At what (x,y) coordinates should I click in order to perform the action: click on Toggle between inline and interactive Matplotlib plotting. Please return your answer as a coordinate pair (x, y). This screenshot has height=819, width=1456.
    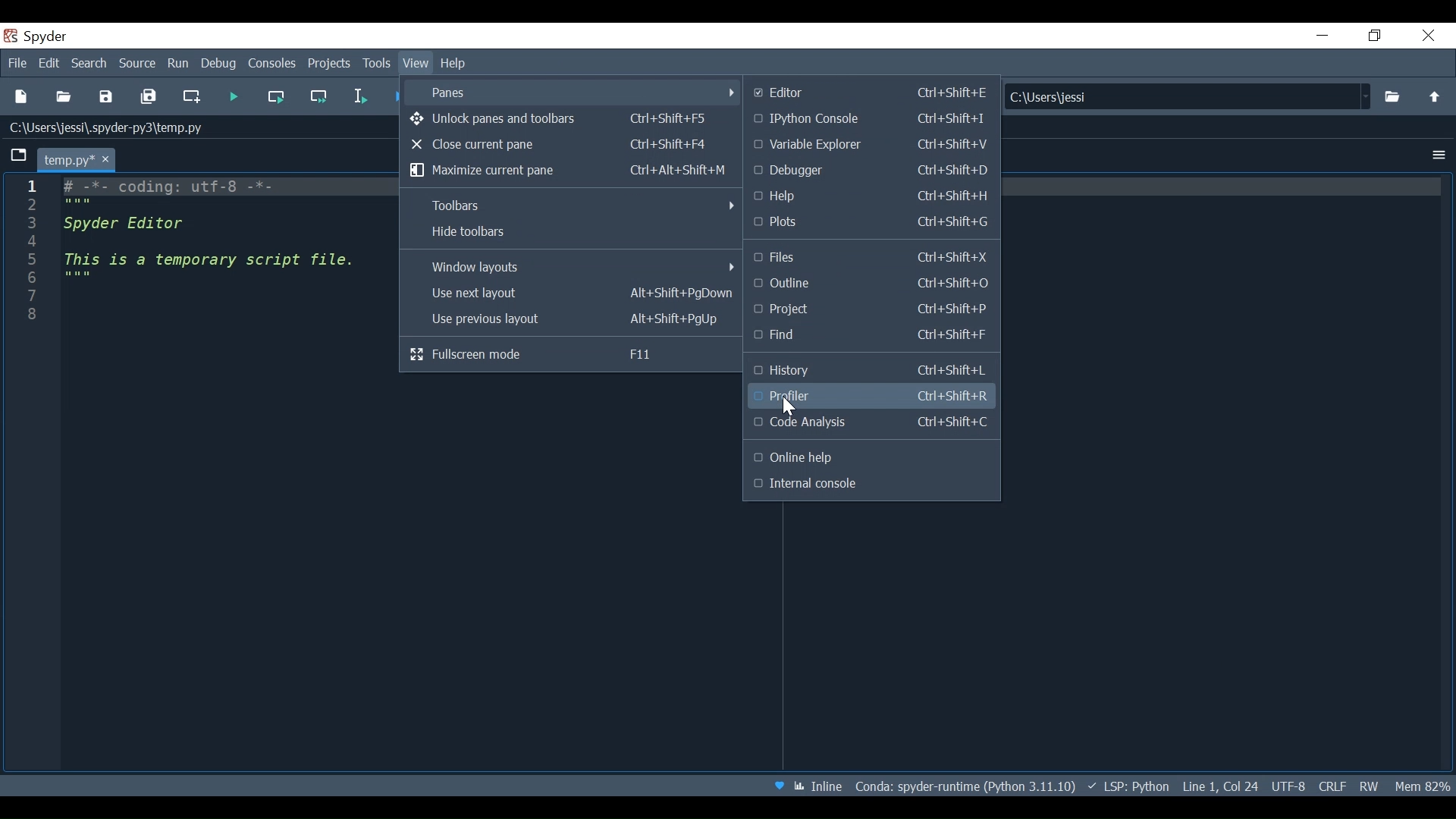
    Looking at the image, I should click on (817, 786).